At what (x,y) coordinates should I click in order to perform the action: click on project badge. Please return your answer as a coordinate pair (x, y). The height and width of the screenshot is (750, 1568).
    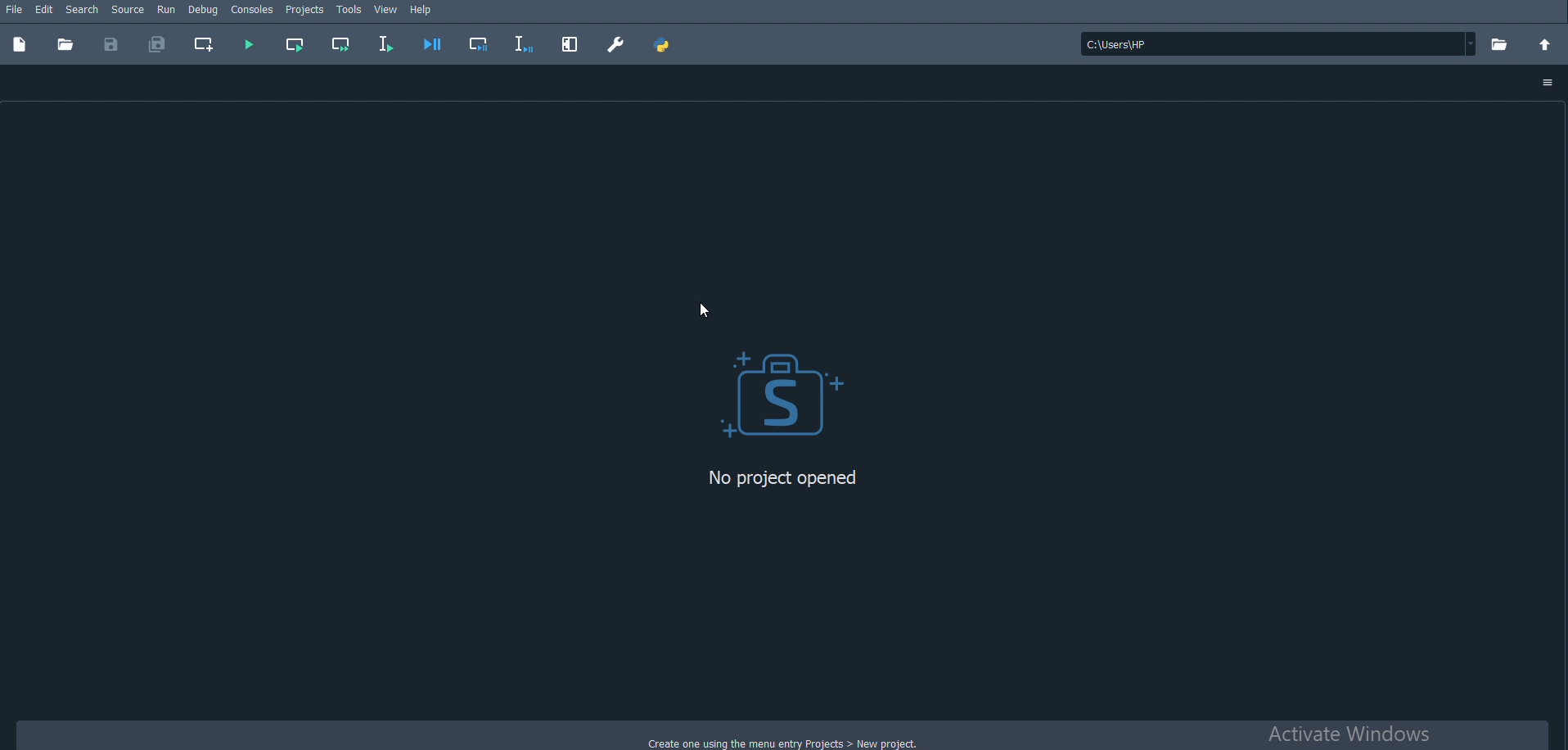
    Looking at the image, I should click on (777, 393).